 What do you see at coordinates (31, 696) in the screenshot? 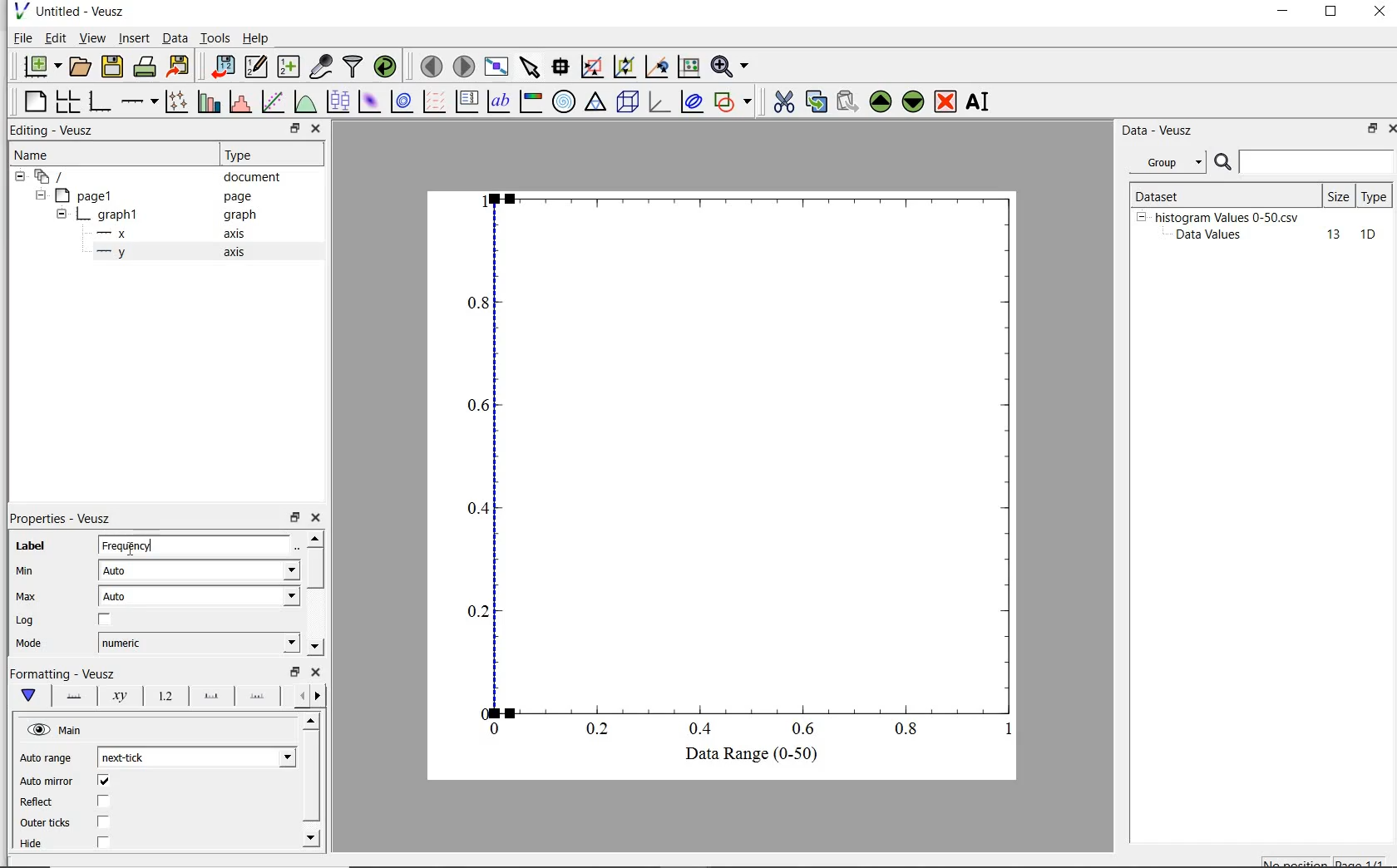
I see `main formatting` at bounding box center [31, 696].